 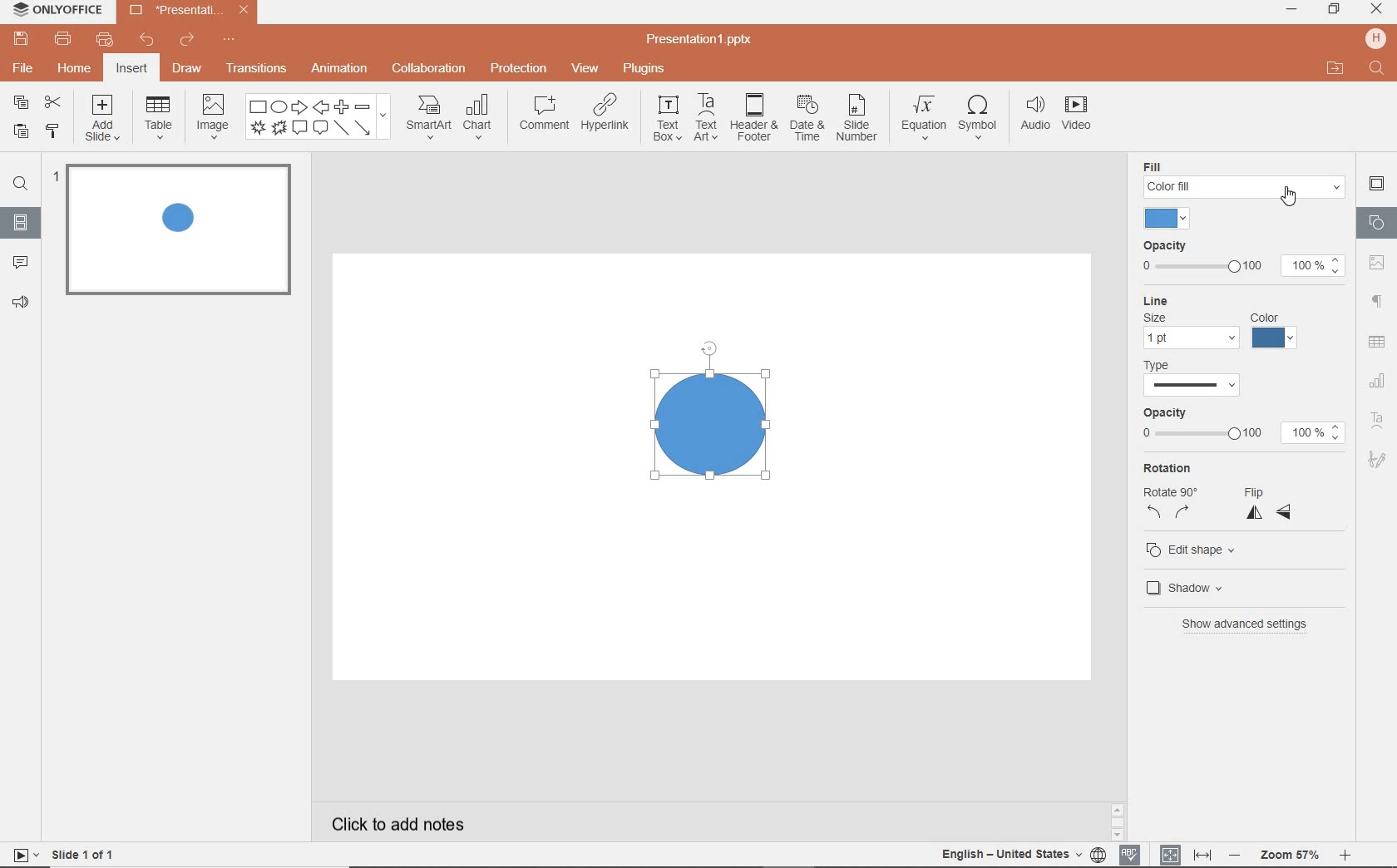 What do you see at coordinates (645, 70) in the screenshot?
I see `plugins` at bounding box center [645, 70].